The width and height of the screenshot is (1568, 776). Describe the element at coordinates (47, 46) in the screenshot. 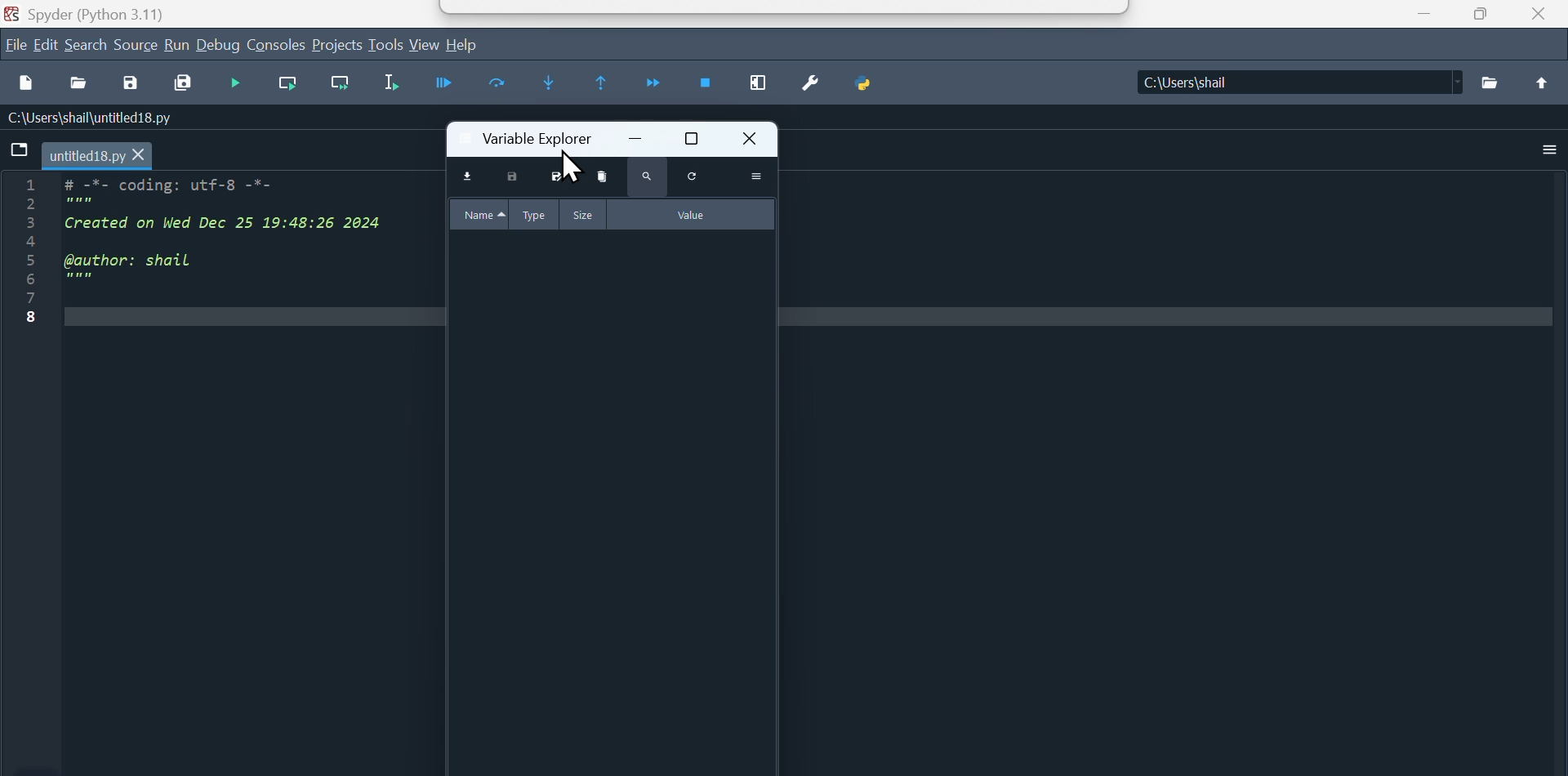

I see `Edit` at that location.